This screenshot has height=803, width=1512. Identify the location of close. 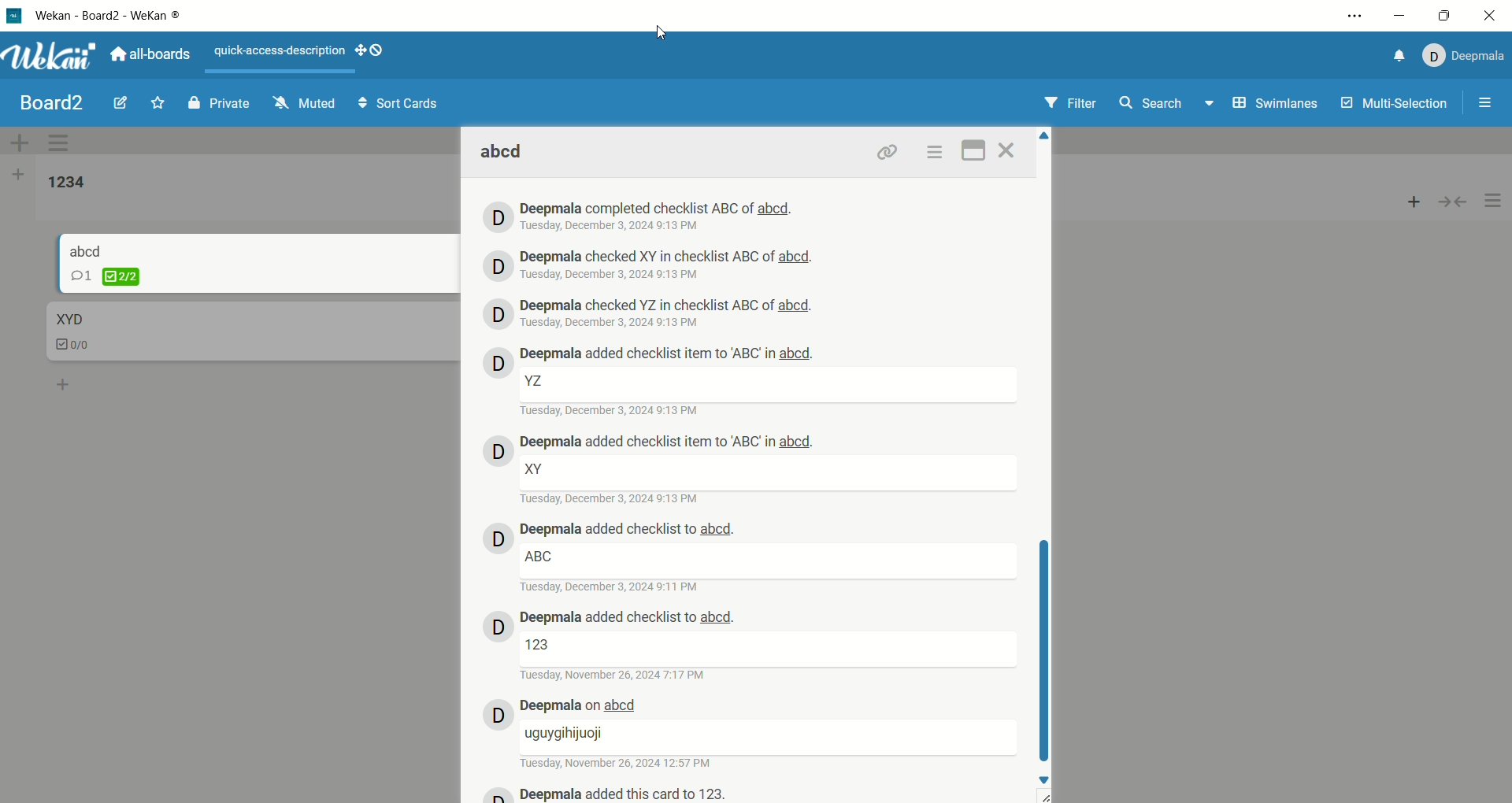
(1488, 18).